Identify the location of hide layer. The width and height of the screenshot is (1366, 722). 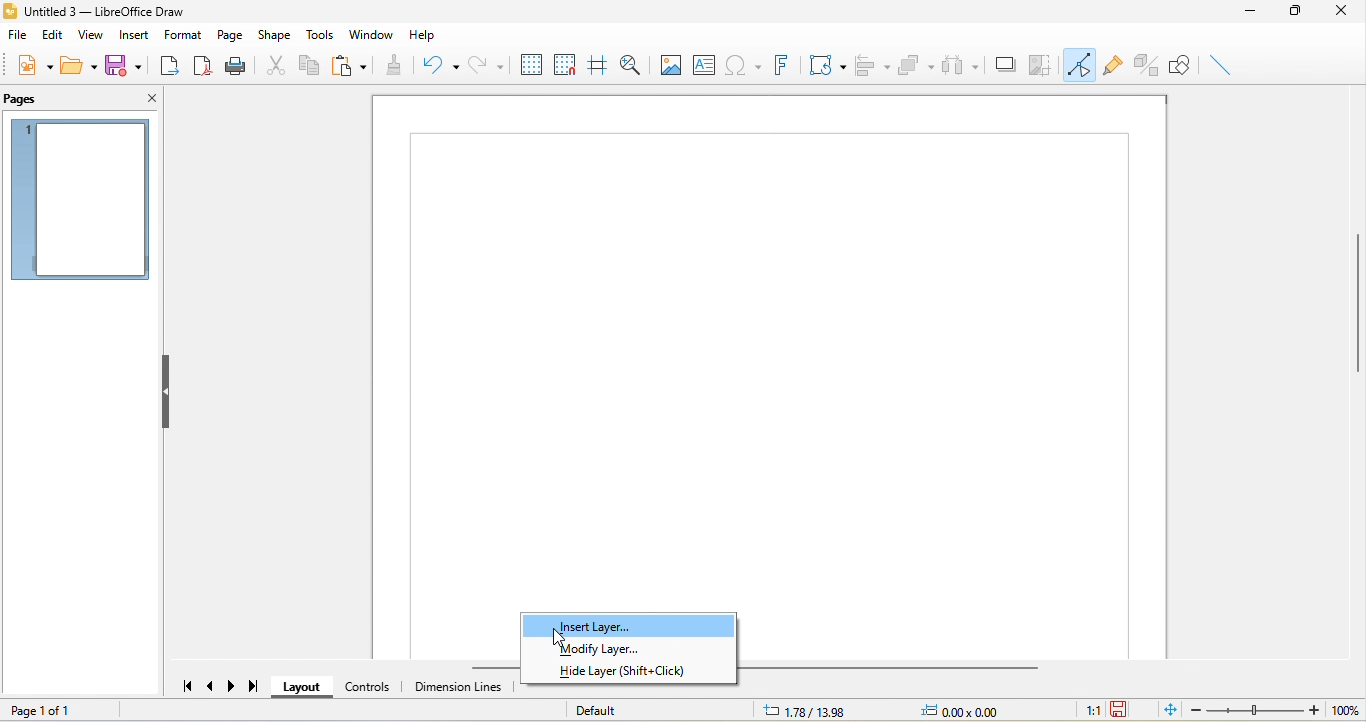
(625, 671).